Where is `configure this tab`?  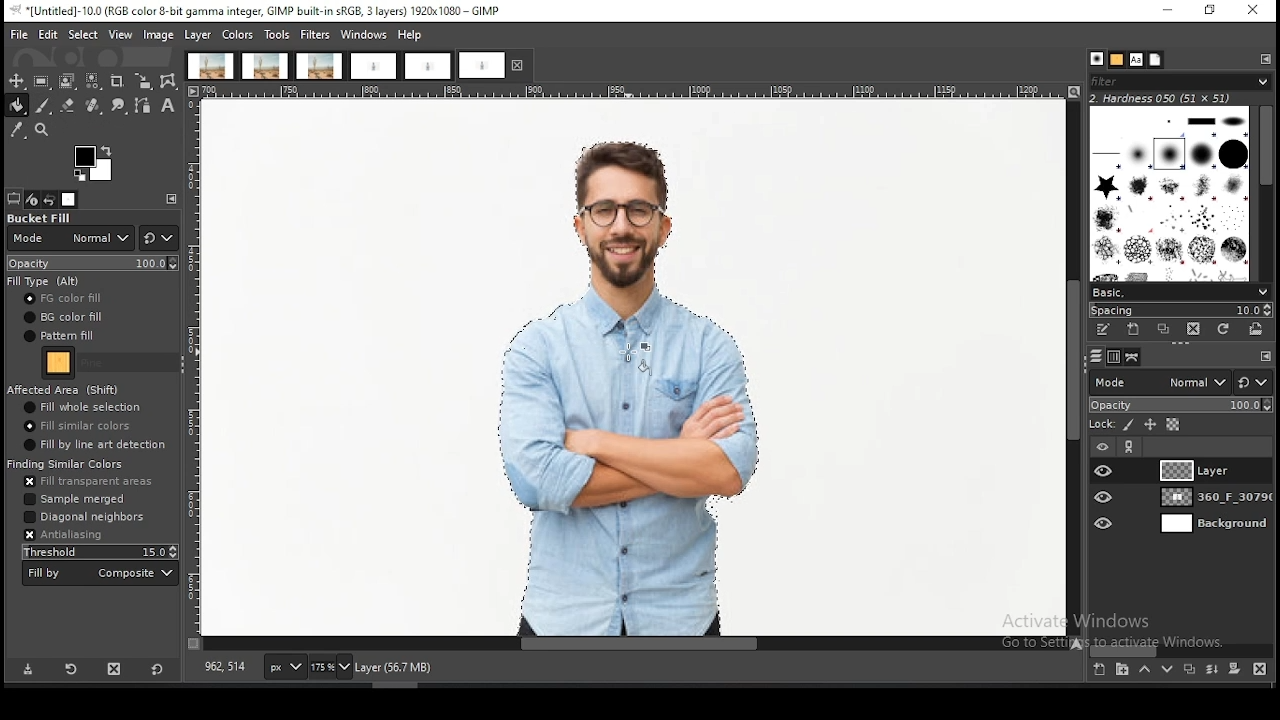 configure this tab is located at coordinates (173, 199).